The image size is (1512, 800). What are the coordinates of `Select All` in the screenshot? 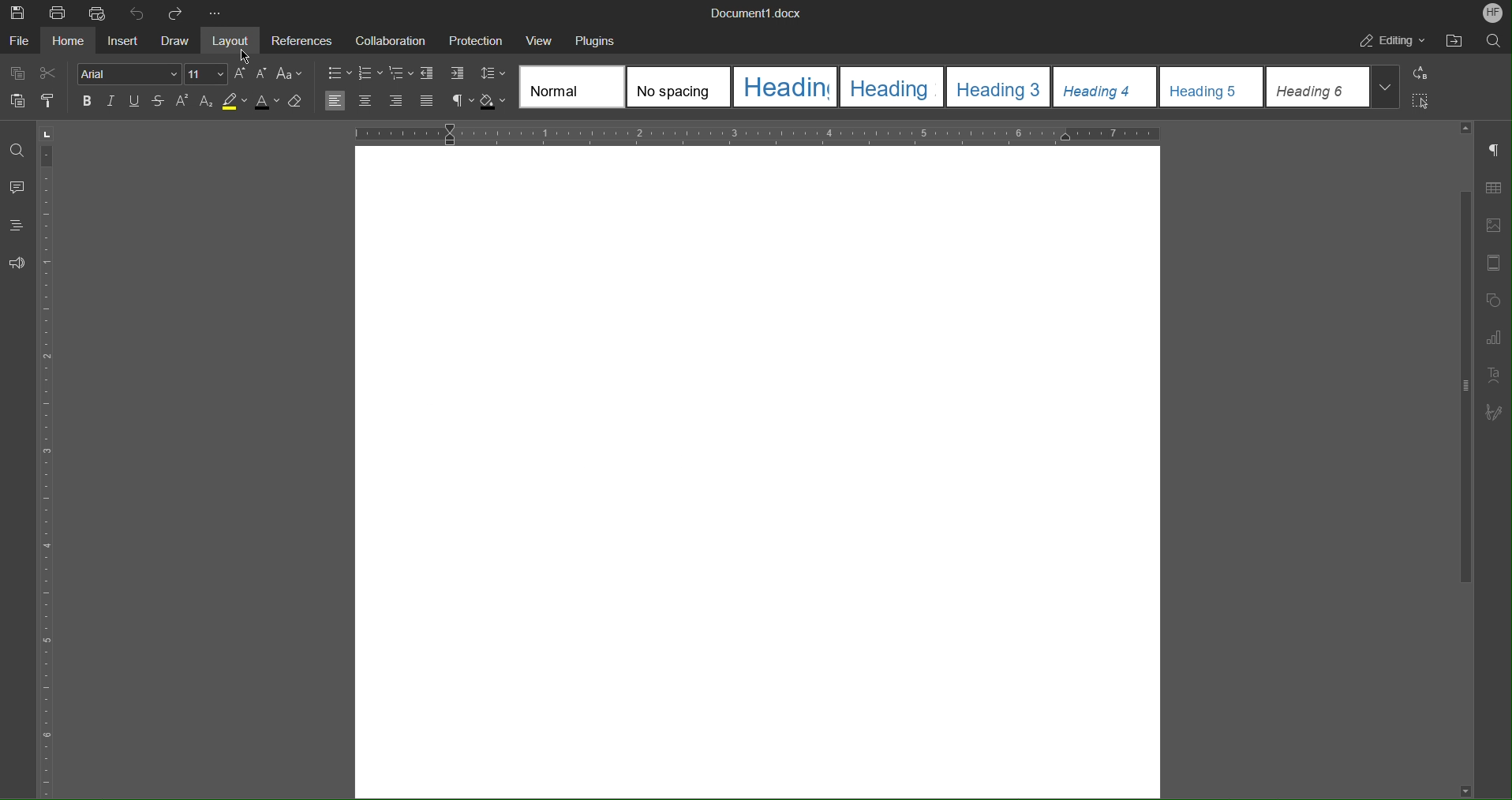 It's located at (1420, 100).